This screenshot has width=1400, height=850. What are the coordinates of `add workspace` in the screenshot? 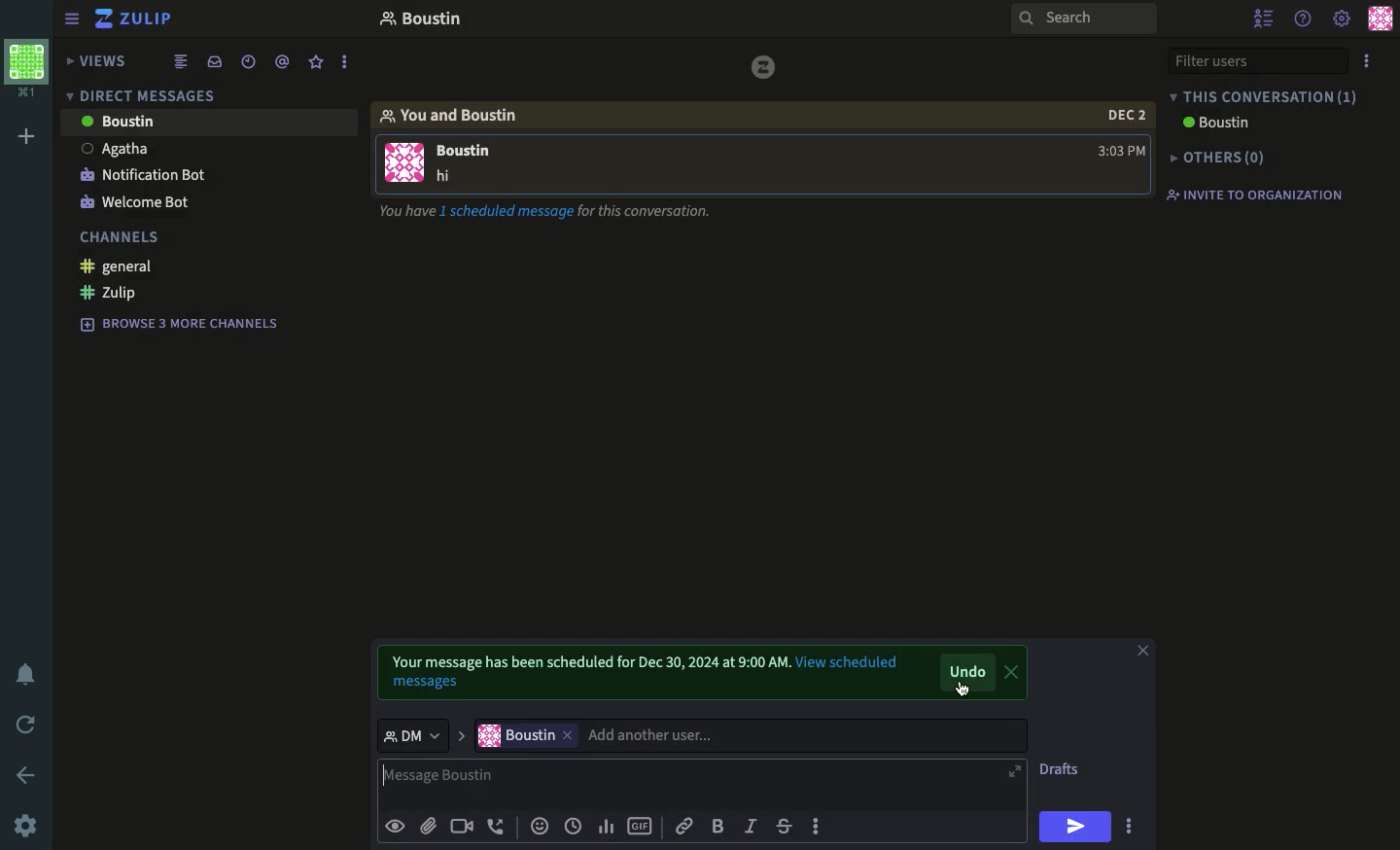 It's located at (27, 133).